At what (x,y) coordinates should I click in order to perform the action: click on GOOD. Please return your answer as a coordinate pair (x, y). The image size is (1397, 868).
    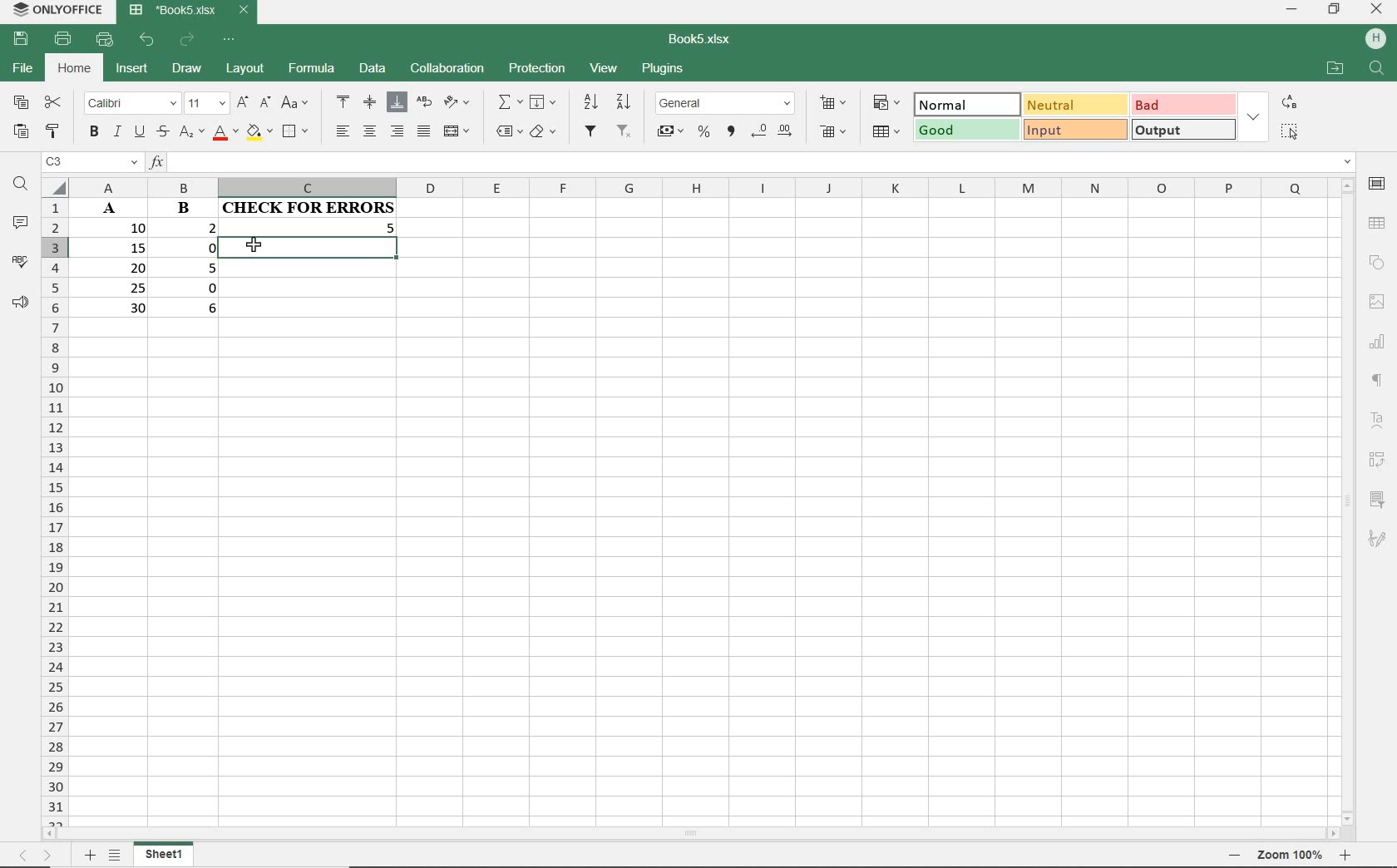
    Looking at the image, I should click on (966, 131).